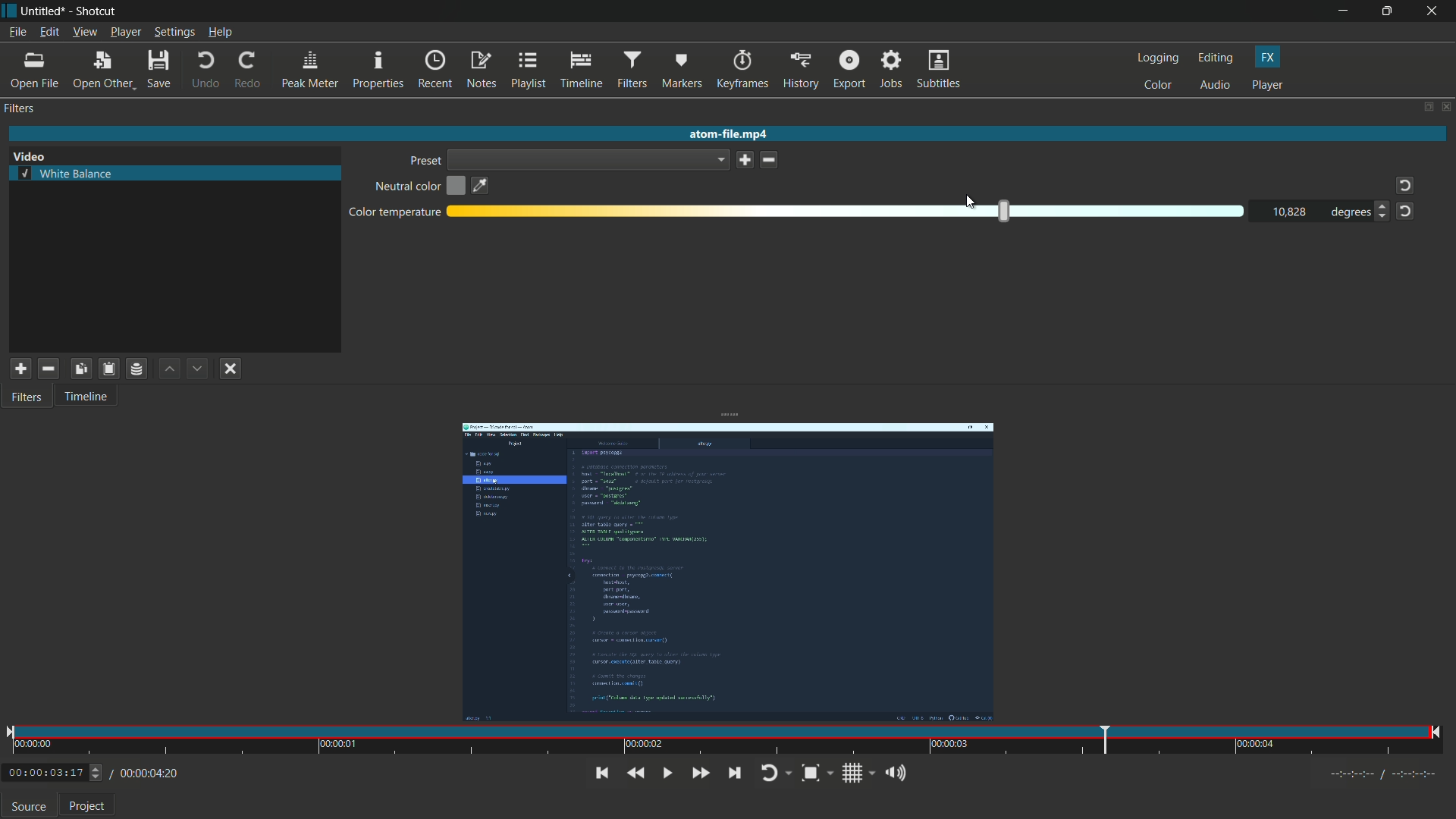 This screenshot has height=819, width=1456. Describe the element at coordinates (406, 187) in the screenshot. I see `neutral color` at that location.